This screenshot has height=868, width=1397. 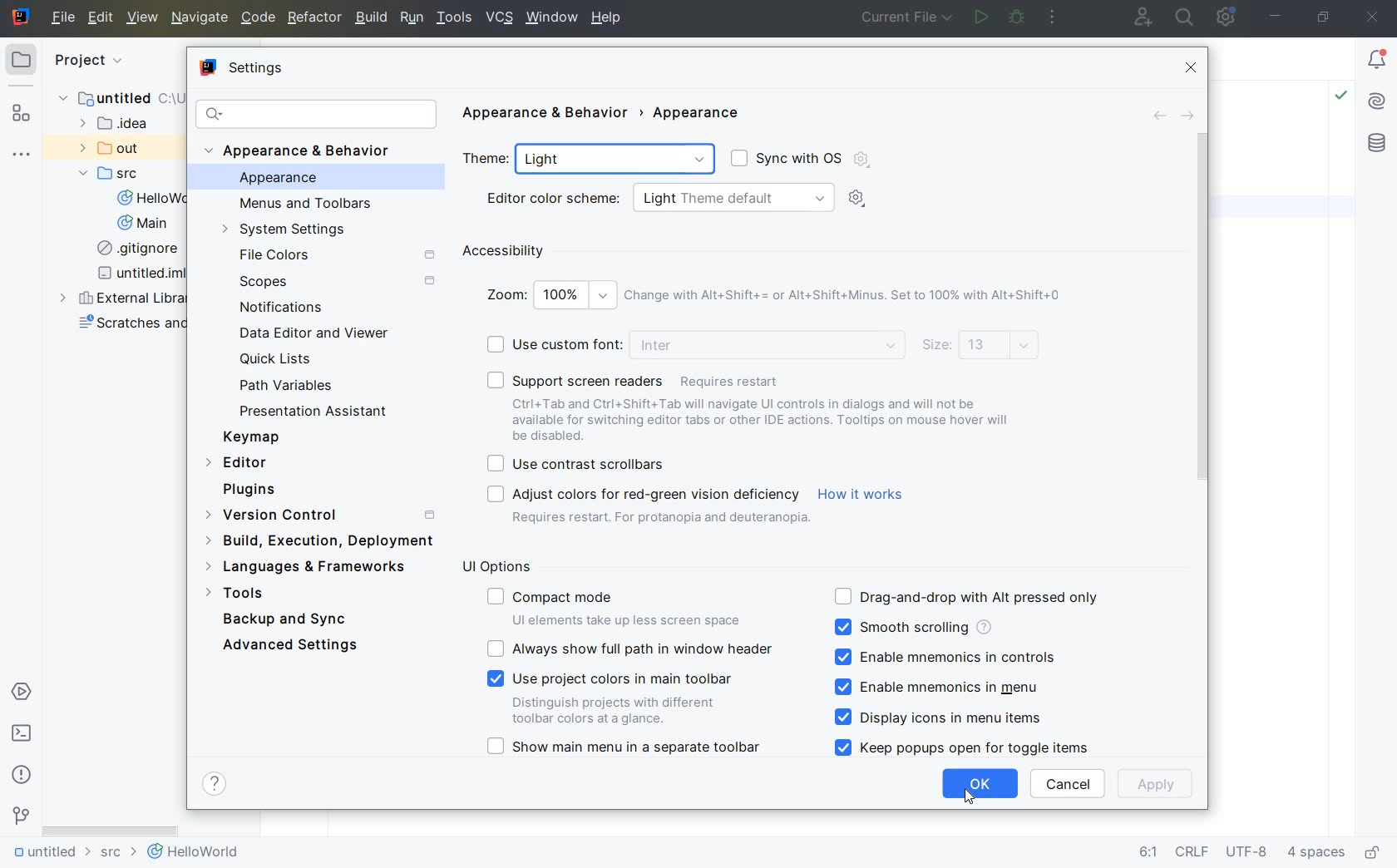 What do you see at coordinates (318, 515) in the screenshot?
I see `VERSION CONTROL` at bounding box center [318, 515].